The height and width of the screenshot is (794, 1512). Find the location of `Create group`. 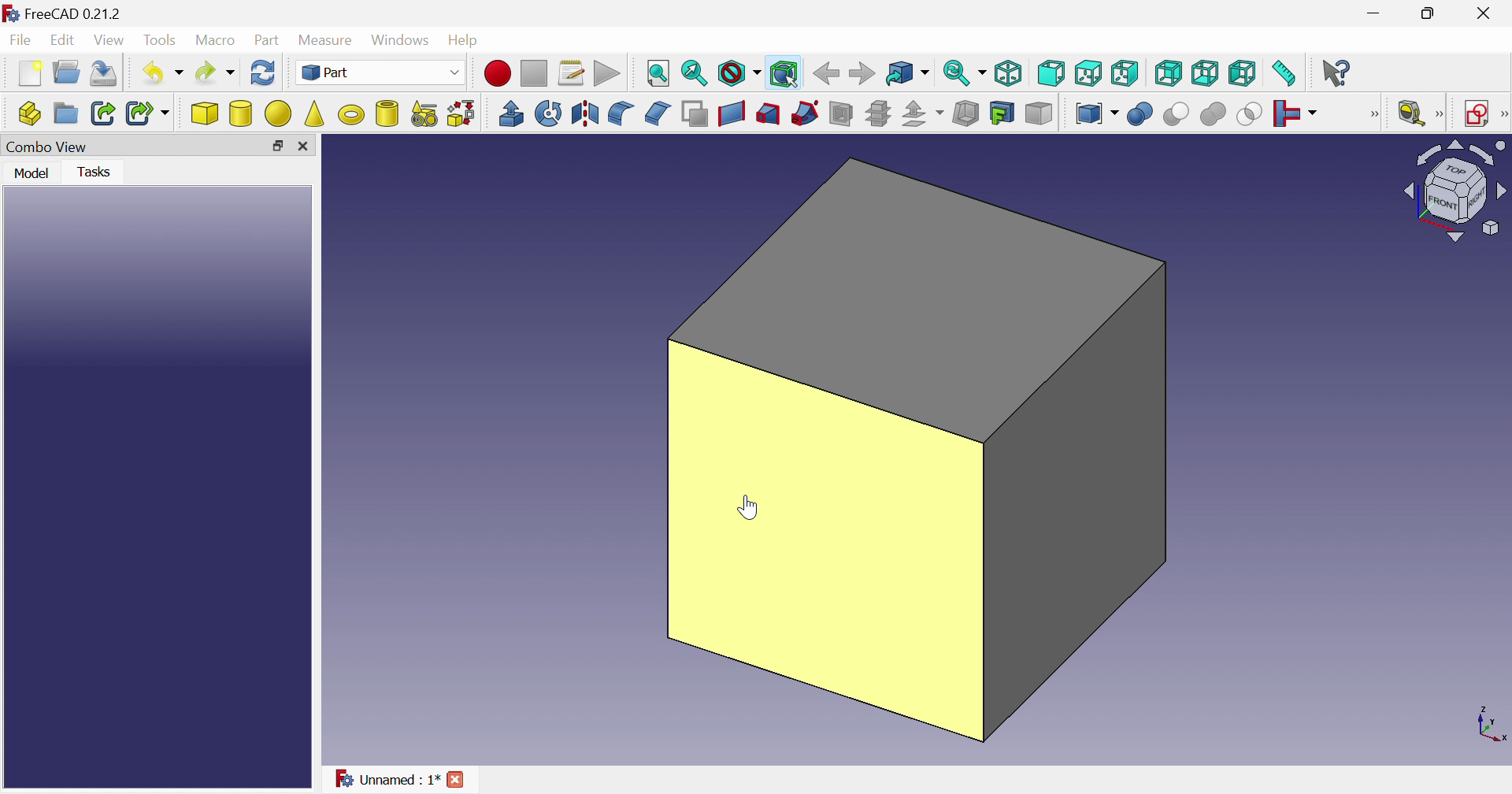

Create group is located at coordinates (66, 114).